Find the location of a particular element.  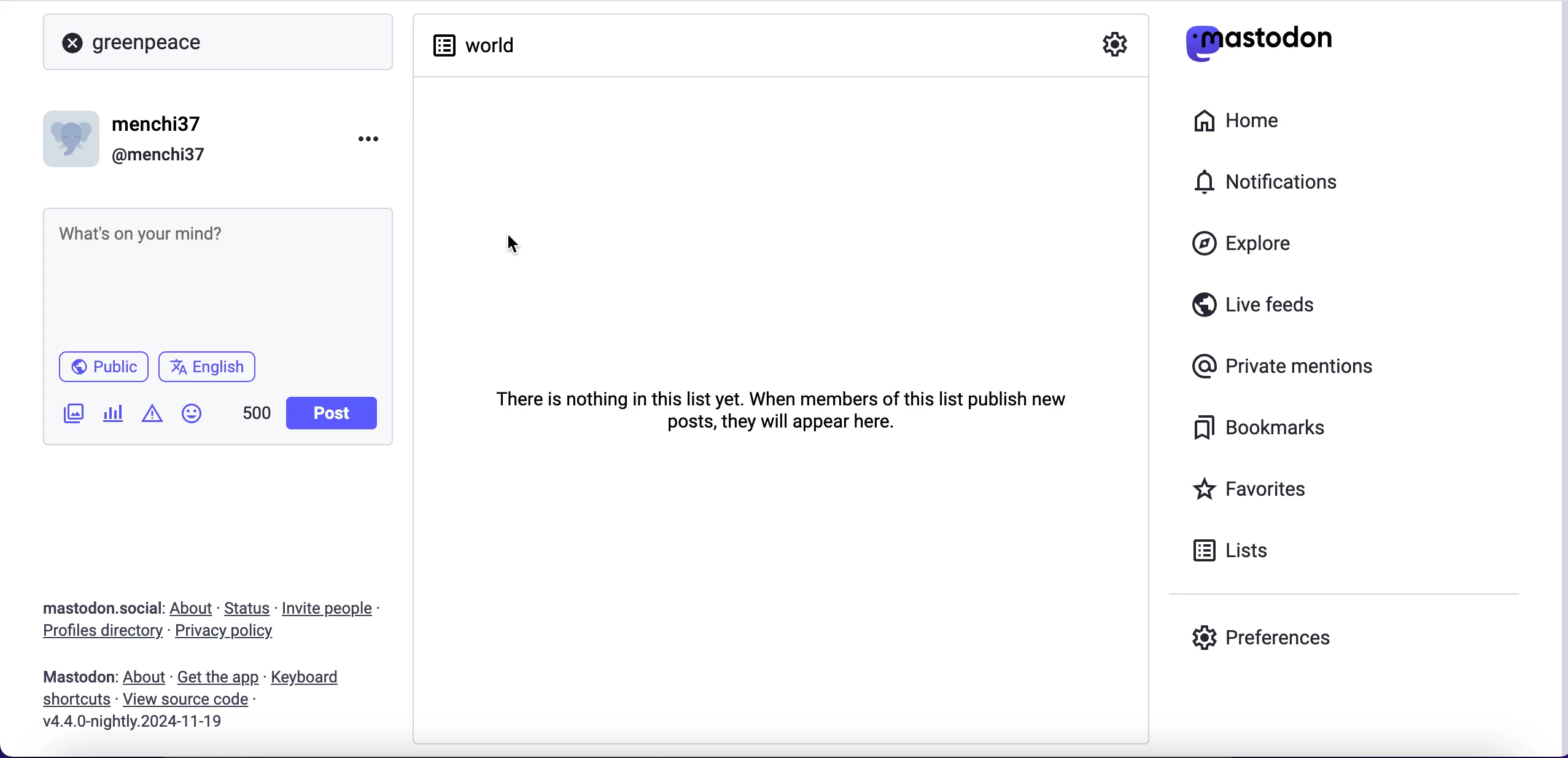

configuration is located at coordinates (1116, 46).